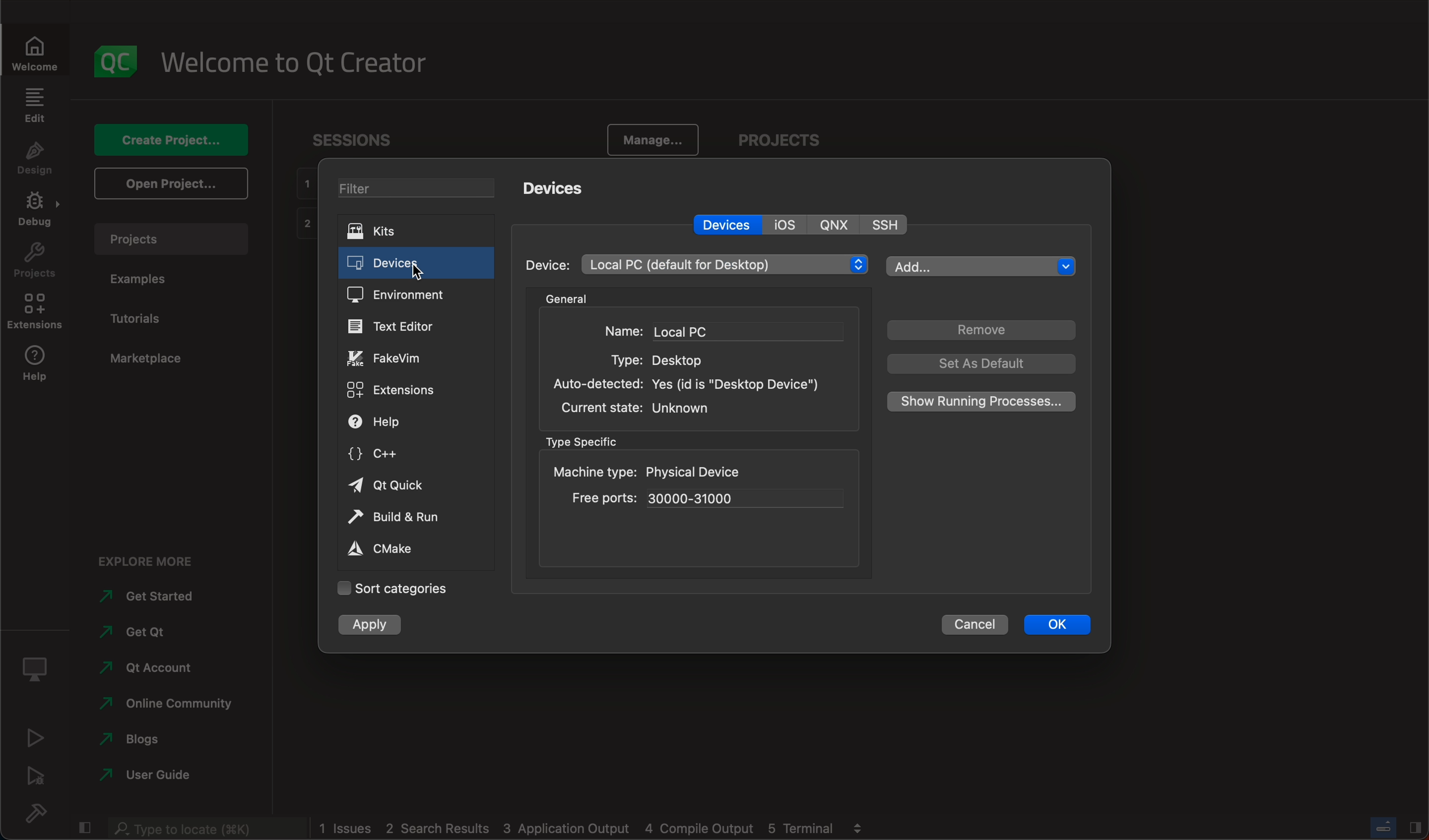 The height and width of the screenshot is (840, 1429). I want to click on projects, so click(778, 139).